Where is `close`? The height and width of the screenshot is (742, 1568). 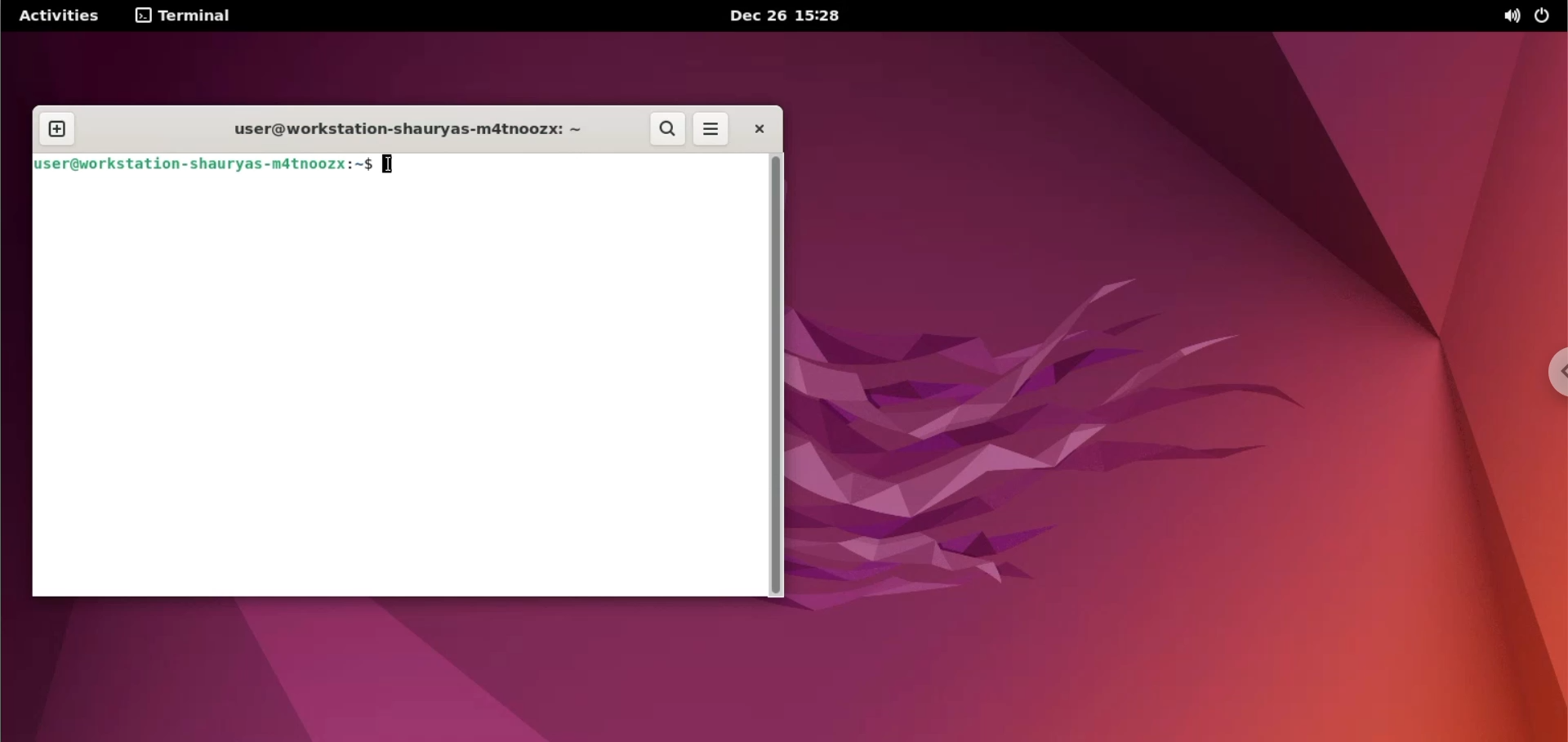 close is located at coordinates (752, 128).